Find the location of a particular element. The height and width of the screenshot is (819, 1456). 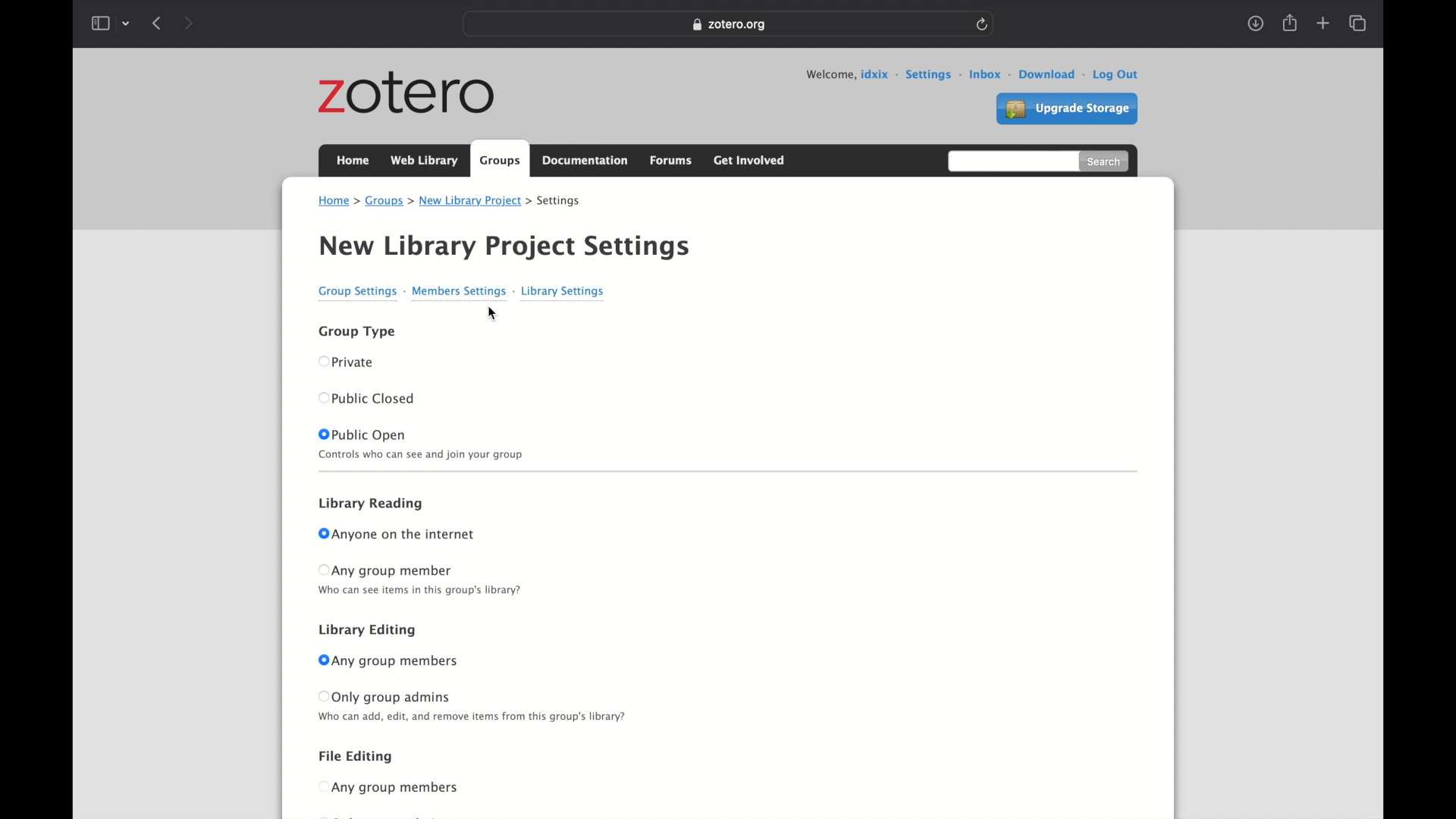

radio button is located at coordinates (397, 787).